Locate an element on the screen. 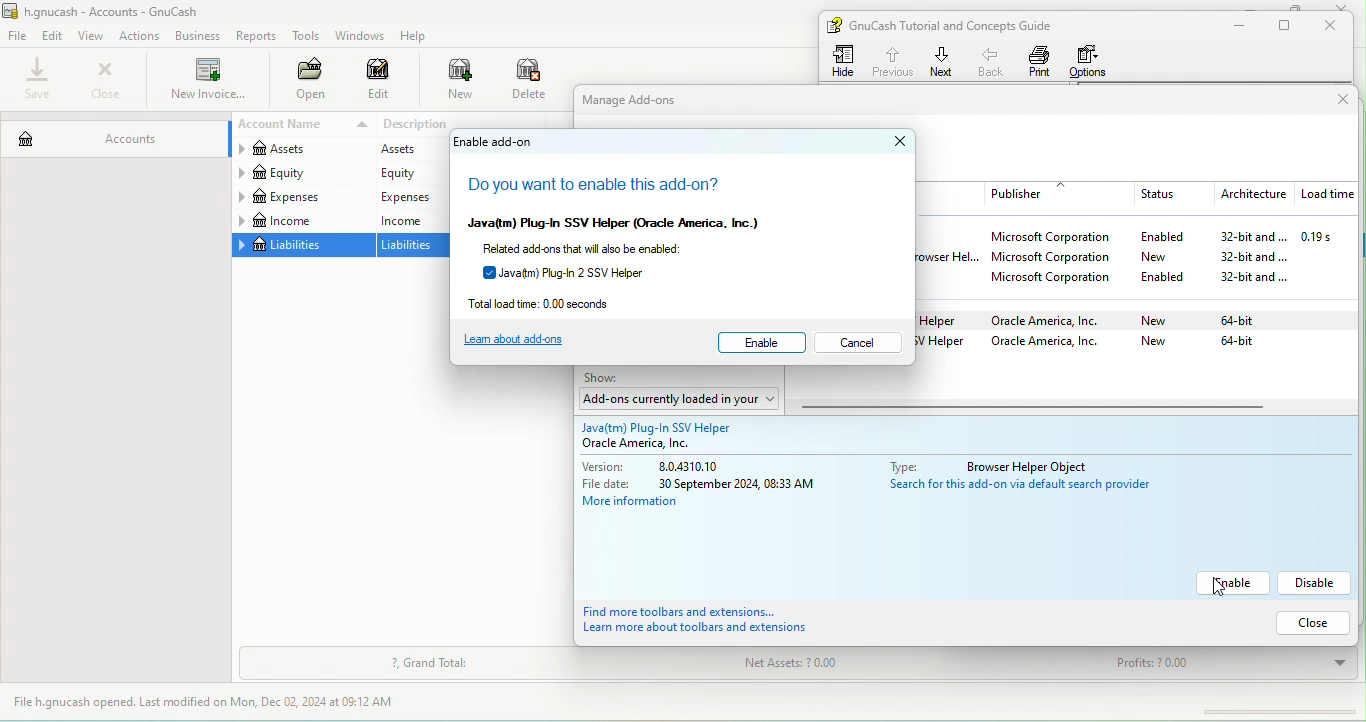 The height and width of the screenshot is (722, 1366). java (tm)plug ln-2 ssv helper is located at coordinates (943, 344).